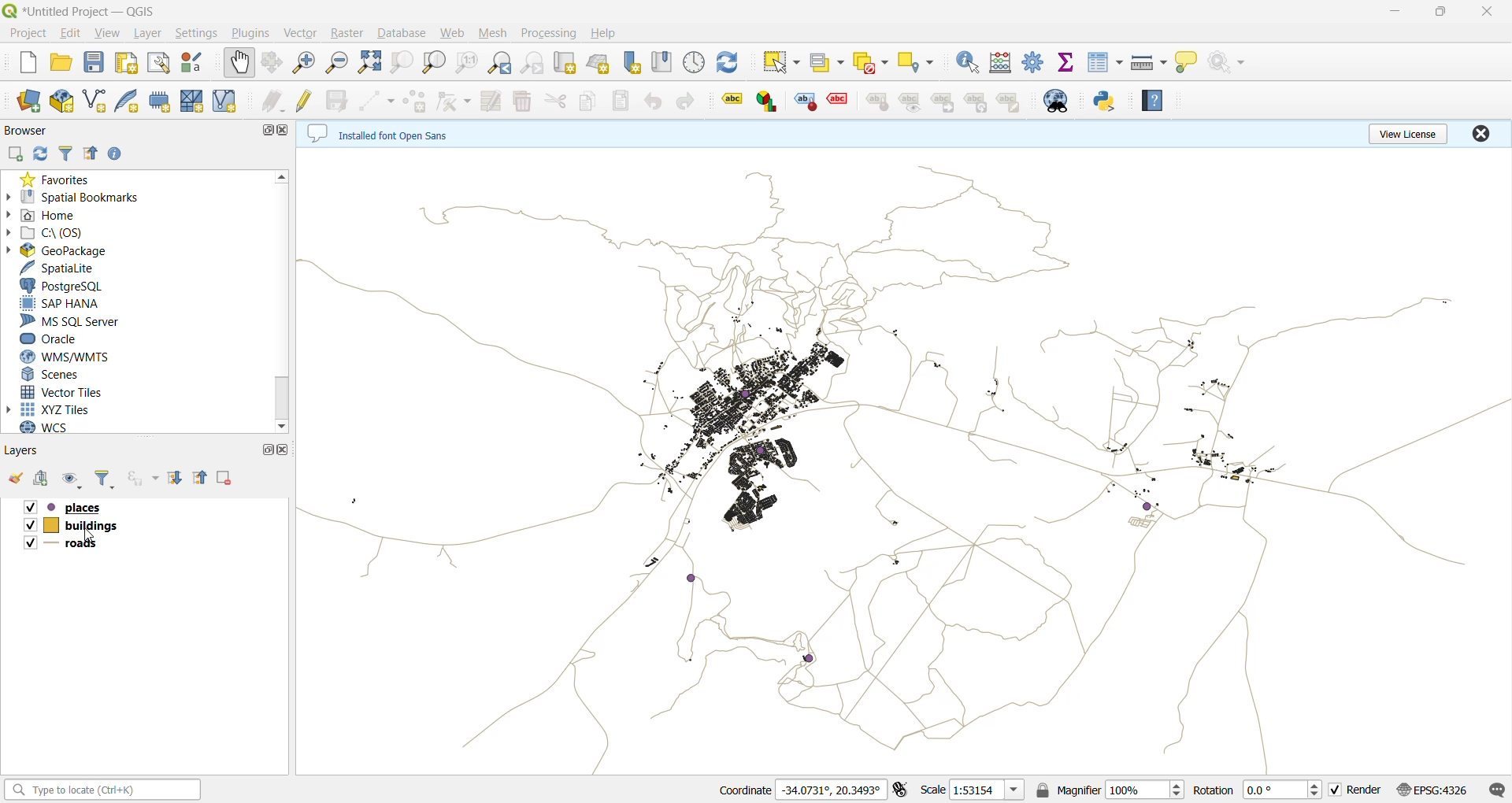  What do you see at coordinates (1191, 65) in the screenshot?
I see `show tips` at bounding box center [1191, 65].